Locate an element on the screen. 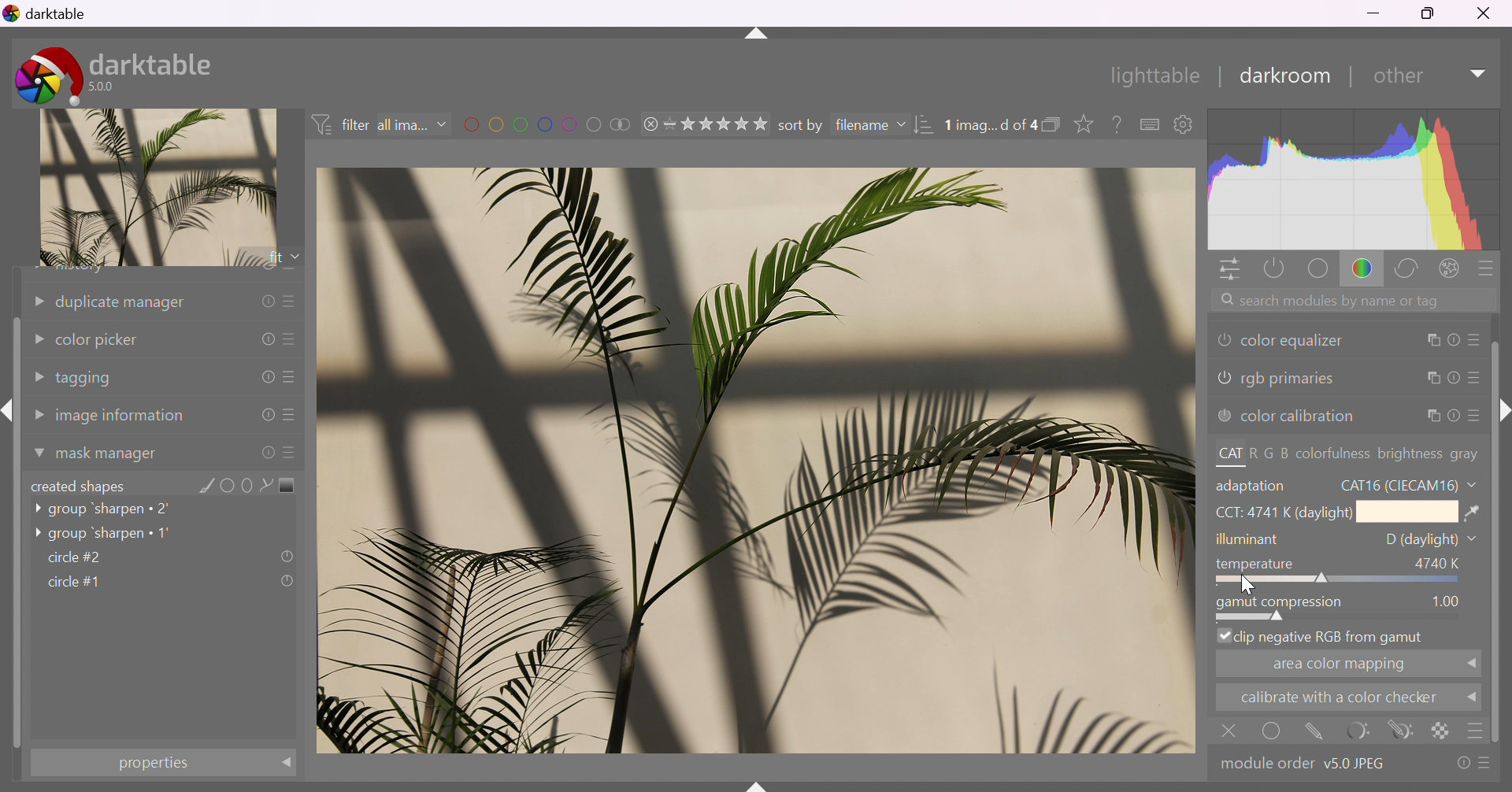 The image size is (1512, 792). image is located at coordinates (755, 458).